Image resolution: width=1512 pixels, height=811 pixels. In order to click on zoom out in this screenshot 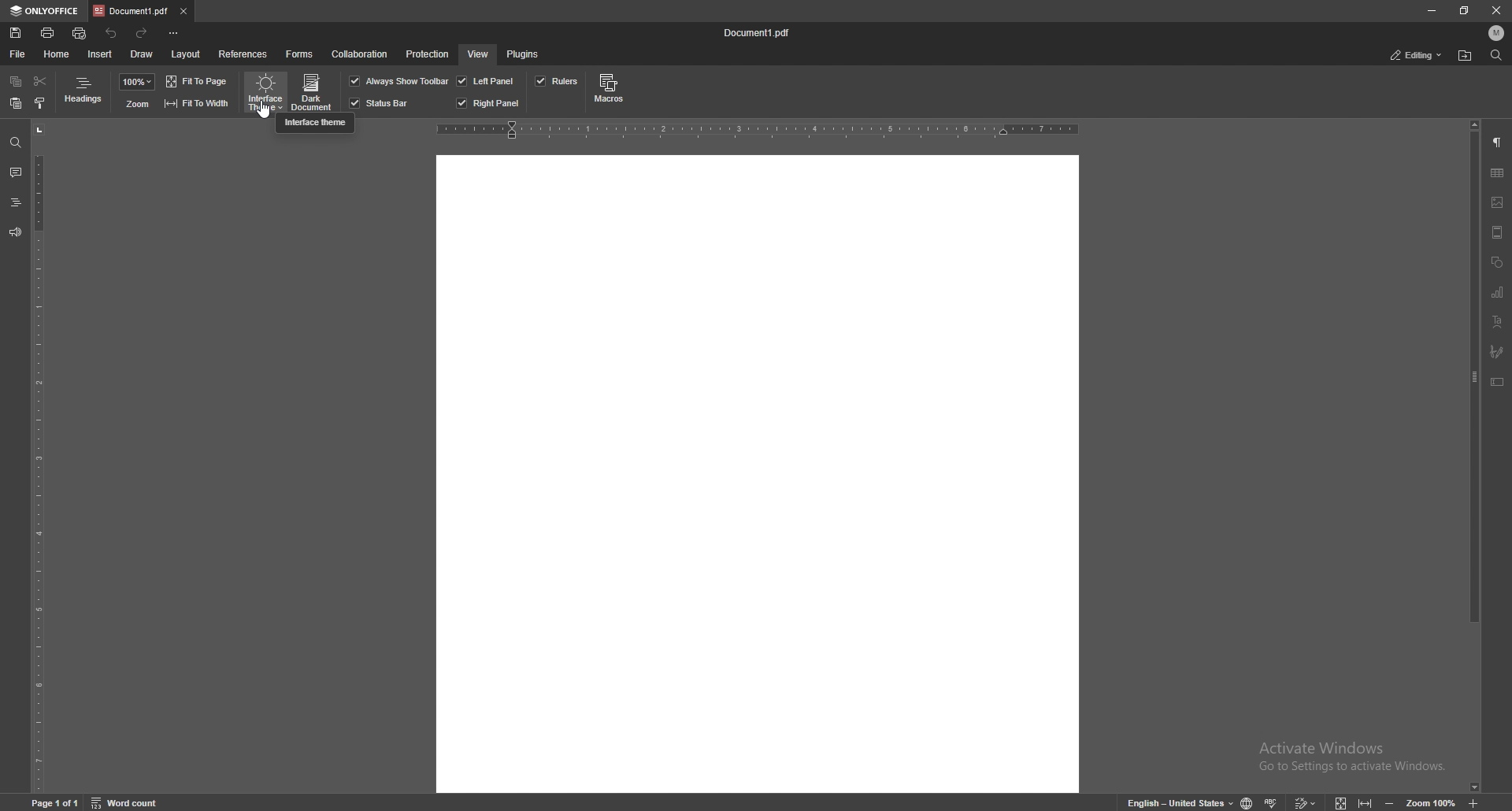, I will do `click(1390, 803)`.